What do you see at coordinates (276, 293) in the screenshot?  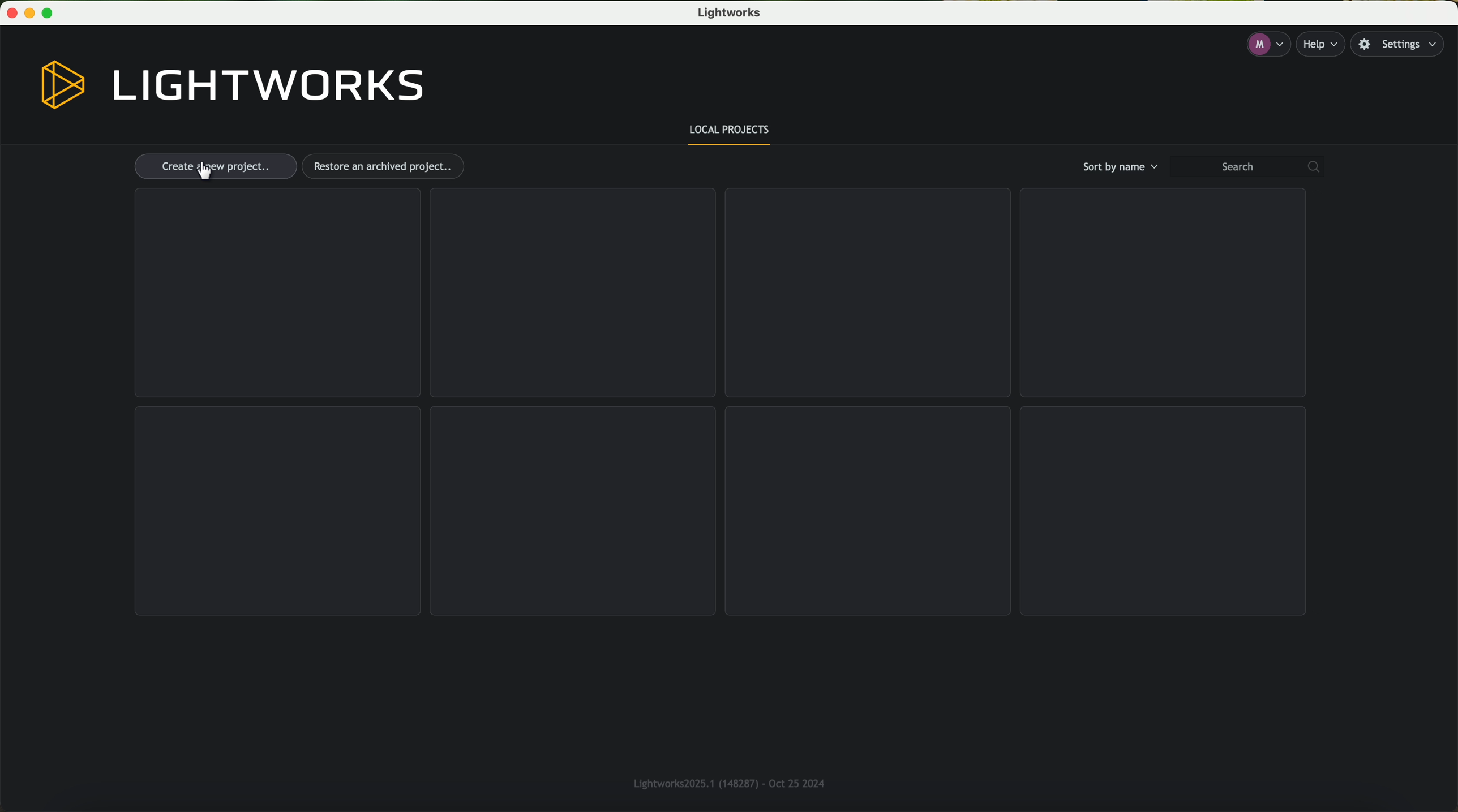 I see `grid` at bounding box center [276, 293].